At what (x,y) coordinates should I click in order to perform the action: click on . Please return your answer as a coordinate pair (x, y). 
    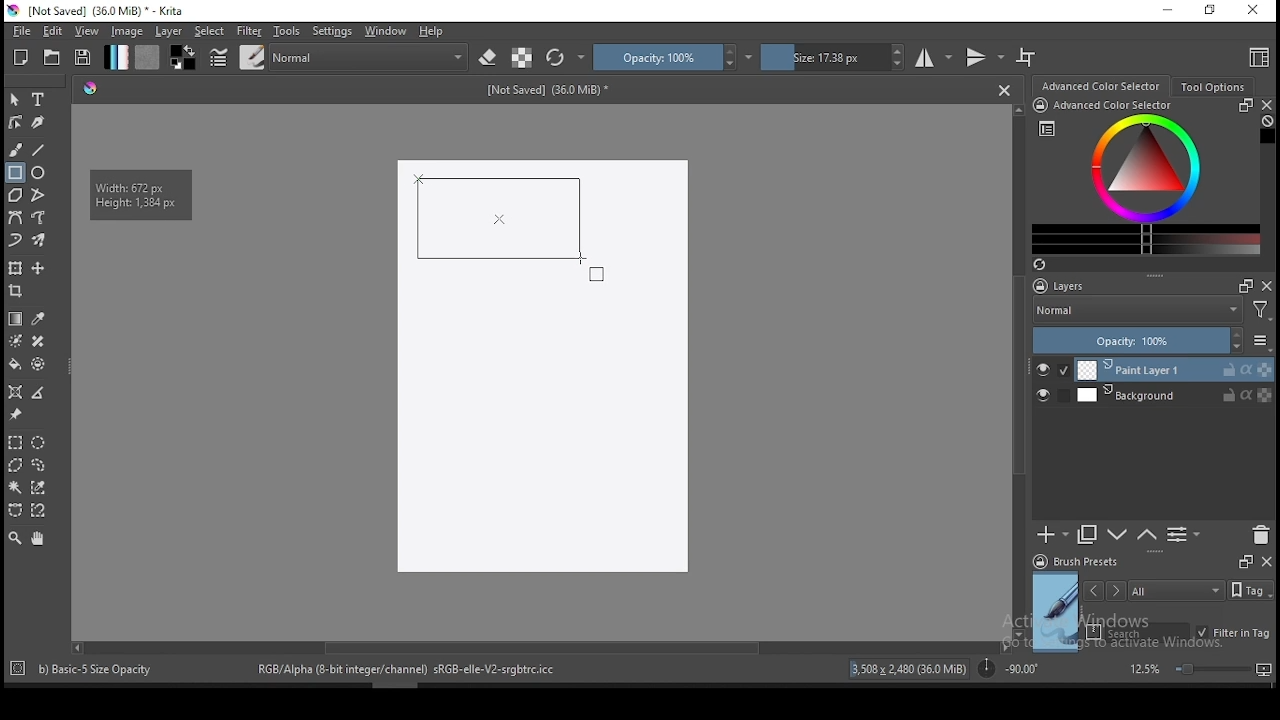
    Looking at the image, I should click on (985, 55).